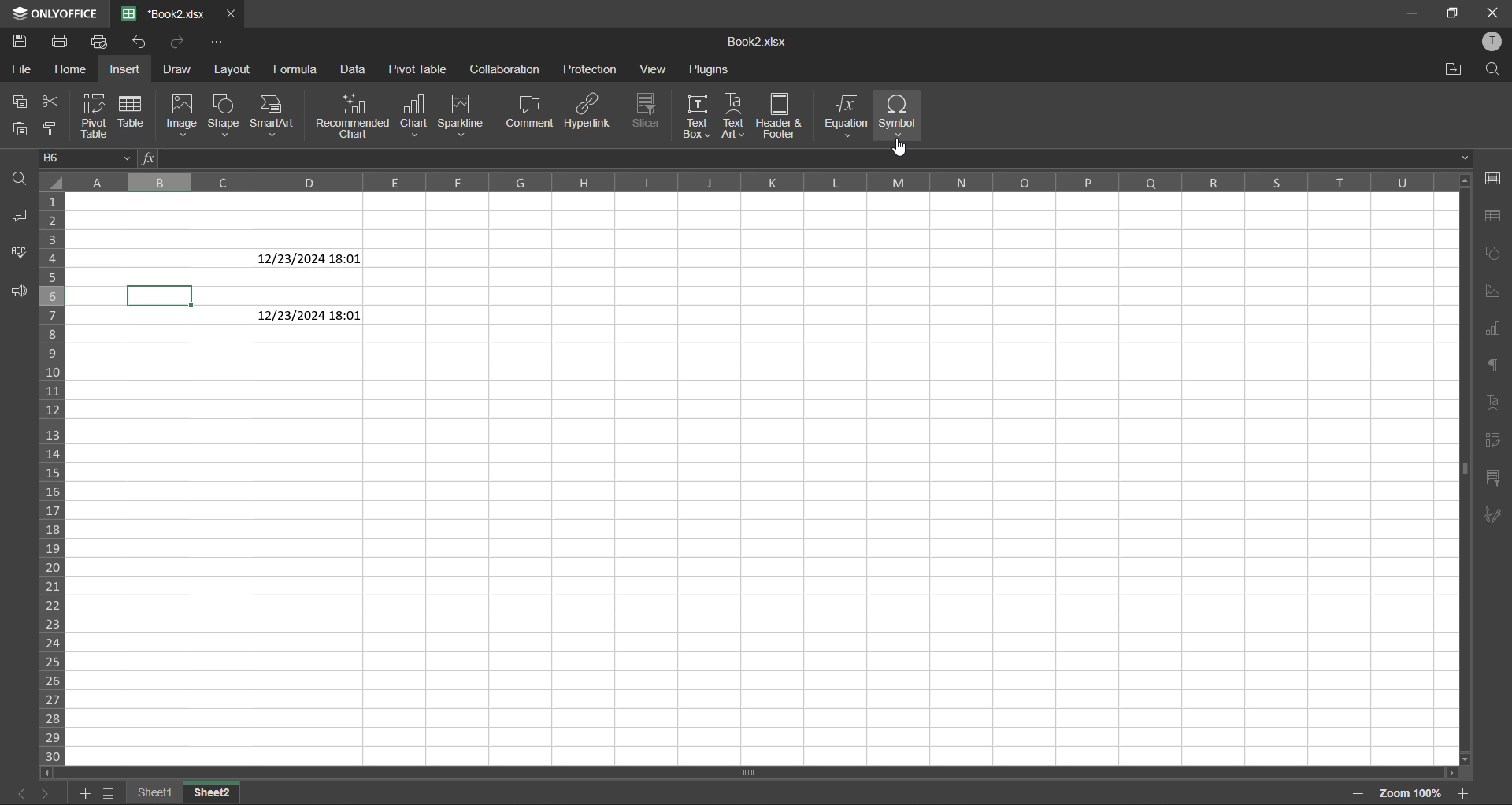 The image size is (1512, 805). I want to click on only office, so click(53, 12).